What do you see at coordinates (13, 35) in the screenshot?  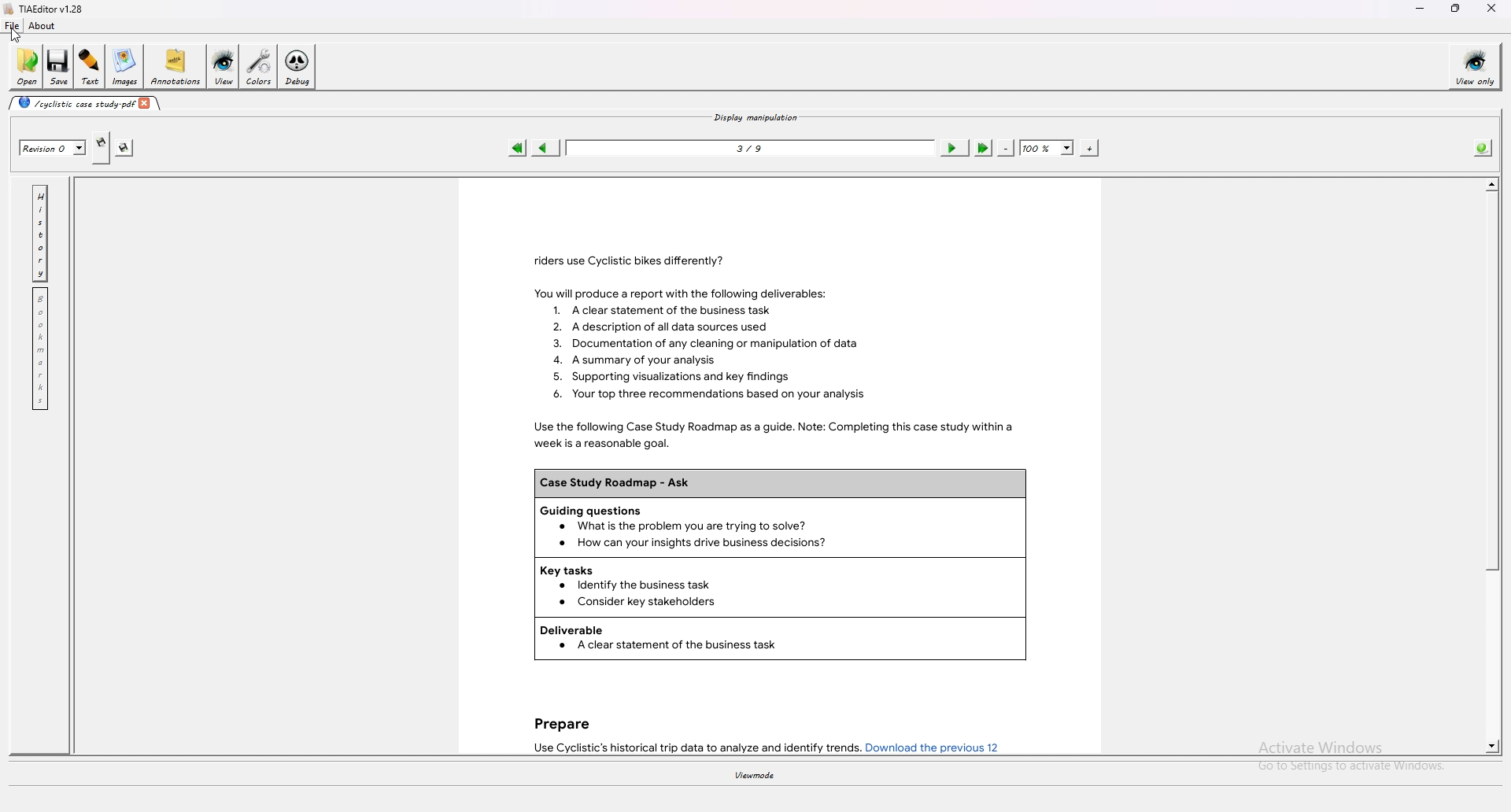 I see `cursor` at bounding box center [13, 35].